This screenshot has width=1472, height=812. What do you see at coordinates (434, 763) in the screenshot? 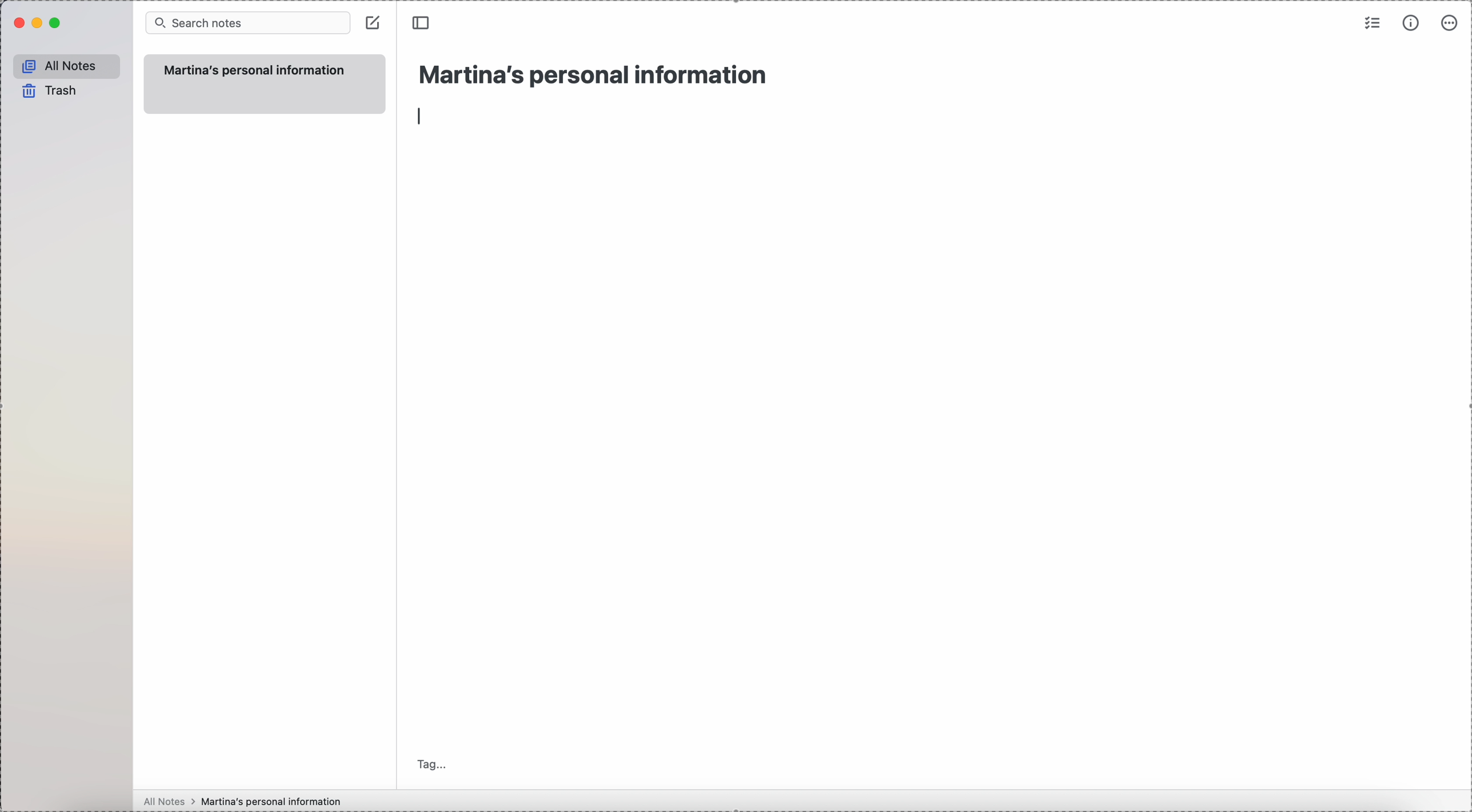
I see `tag` at bounding box center [434, 763].